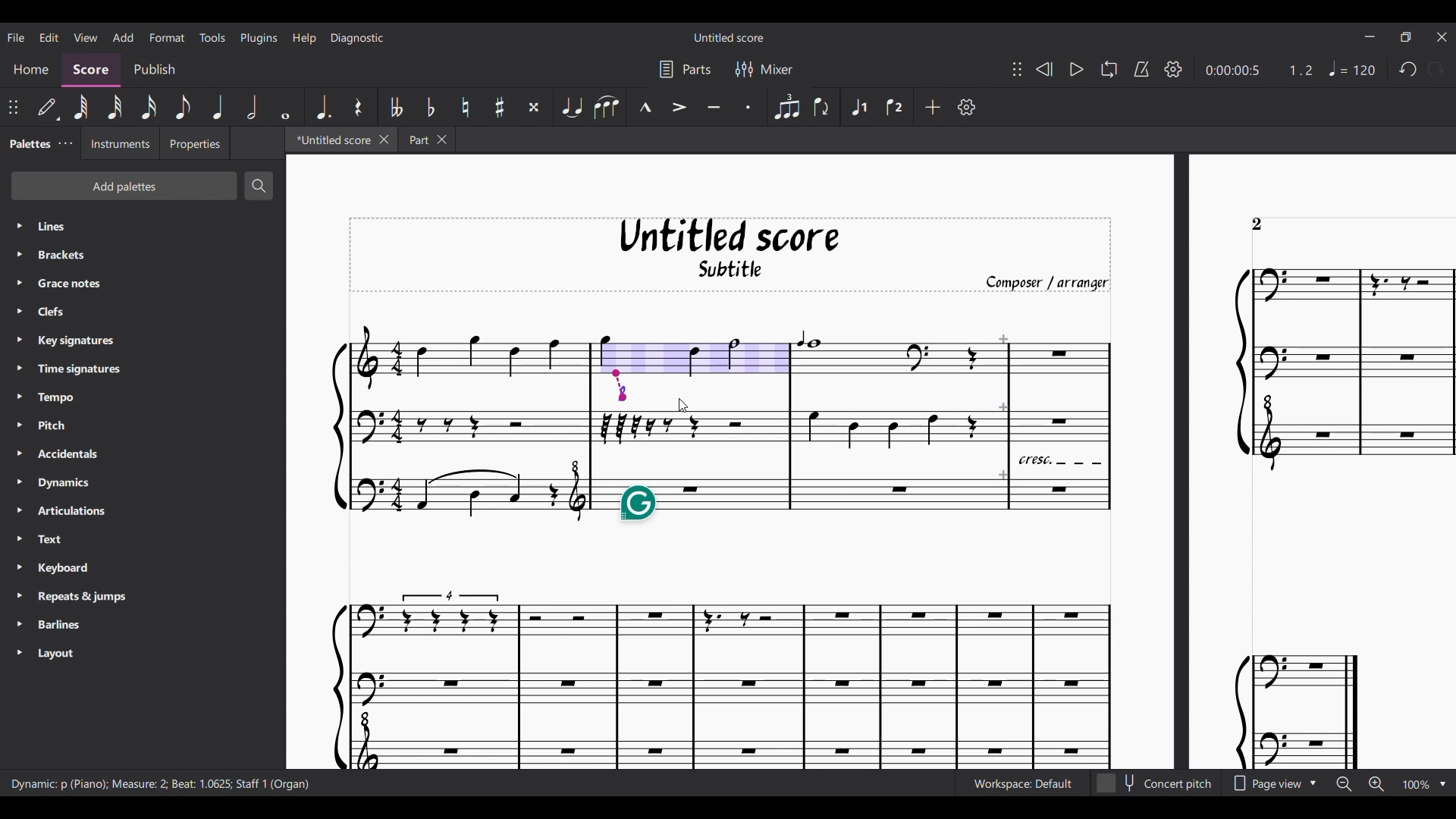  I want to click on Palettes, current tab, so click(29, 143).